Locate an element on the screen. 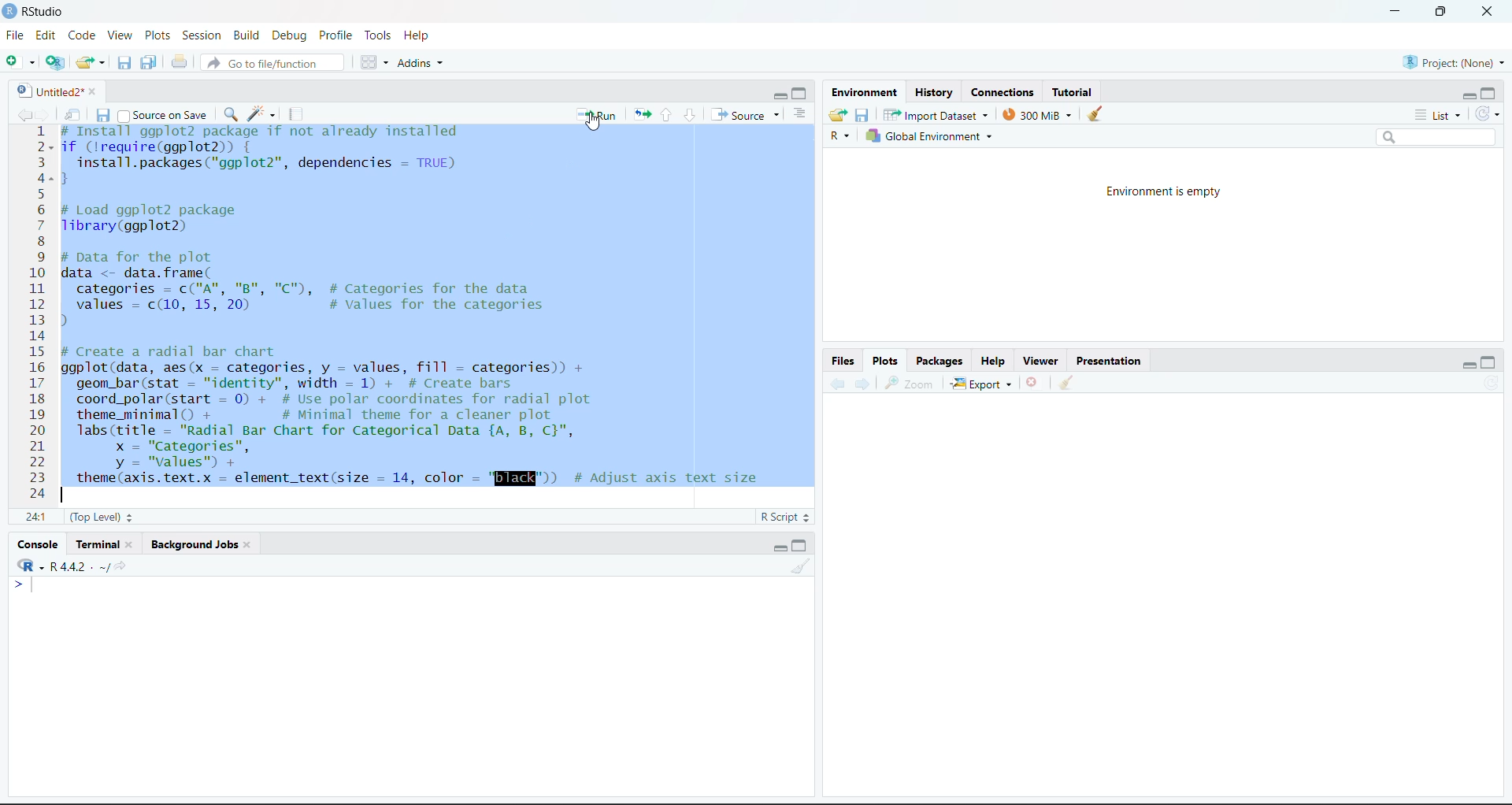 The width and height of the screenshot is (1512, 805). global Environment  is located at coordinates (932, 135).